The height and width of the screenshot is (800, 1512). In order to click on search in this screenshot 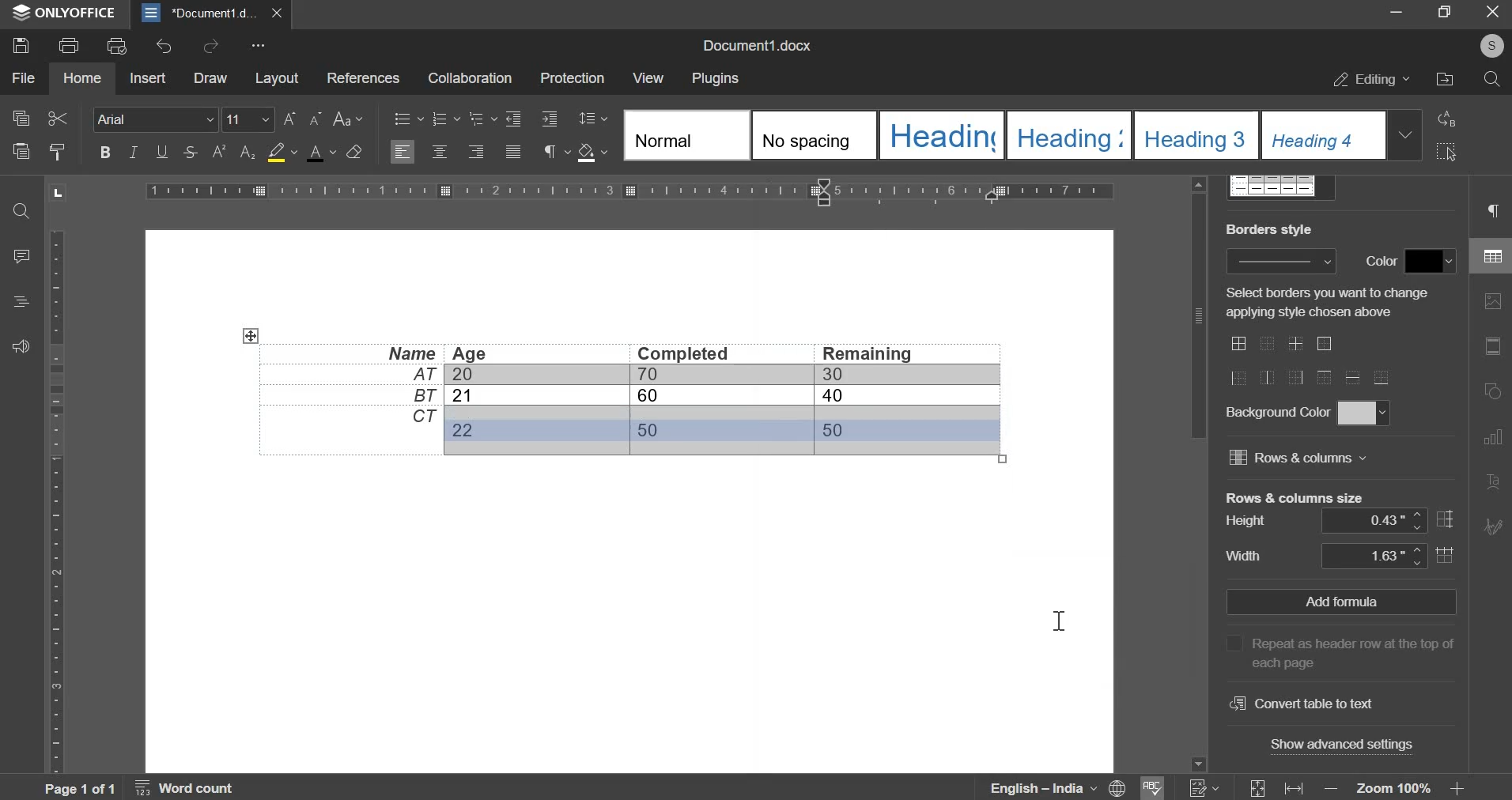, I will do `click(1492, 79)`.